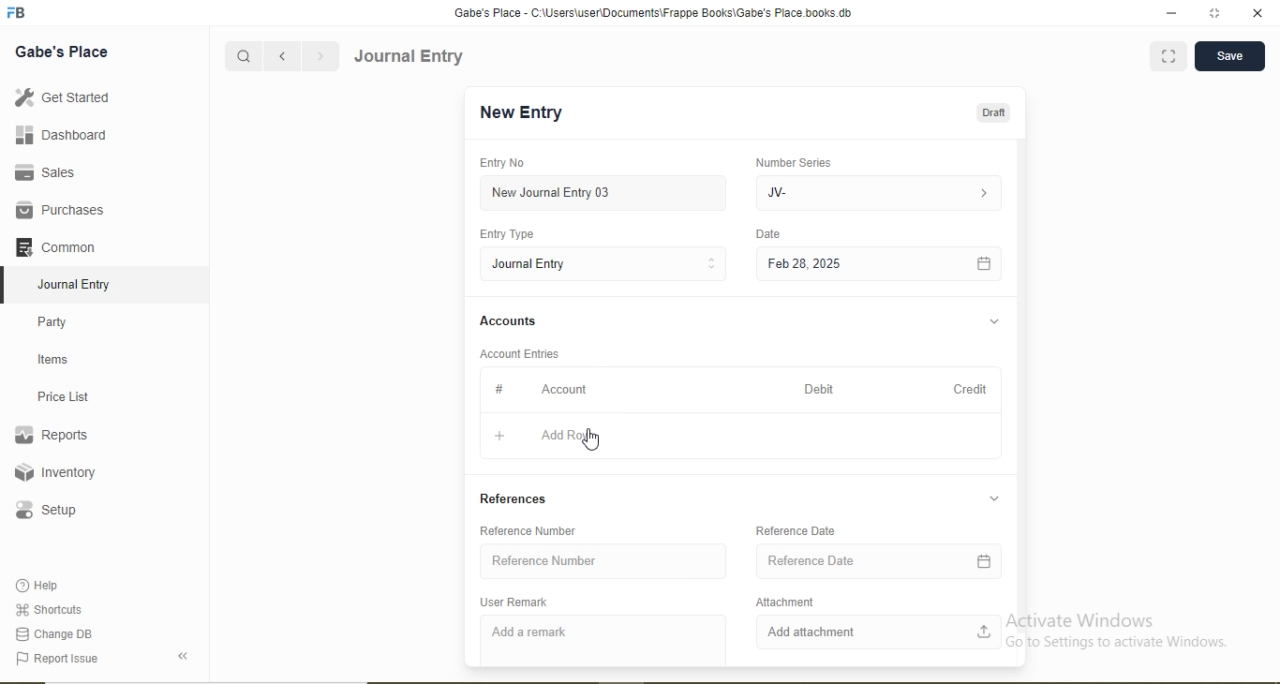 This screenshot has width=1280, height=684. I want to click on ‘Gabe's Place - C:\Users\useriDocuments\Frappe Books\Gabe's Place books db, so click(652, 13).